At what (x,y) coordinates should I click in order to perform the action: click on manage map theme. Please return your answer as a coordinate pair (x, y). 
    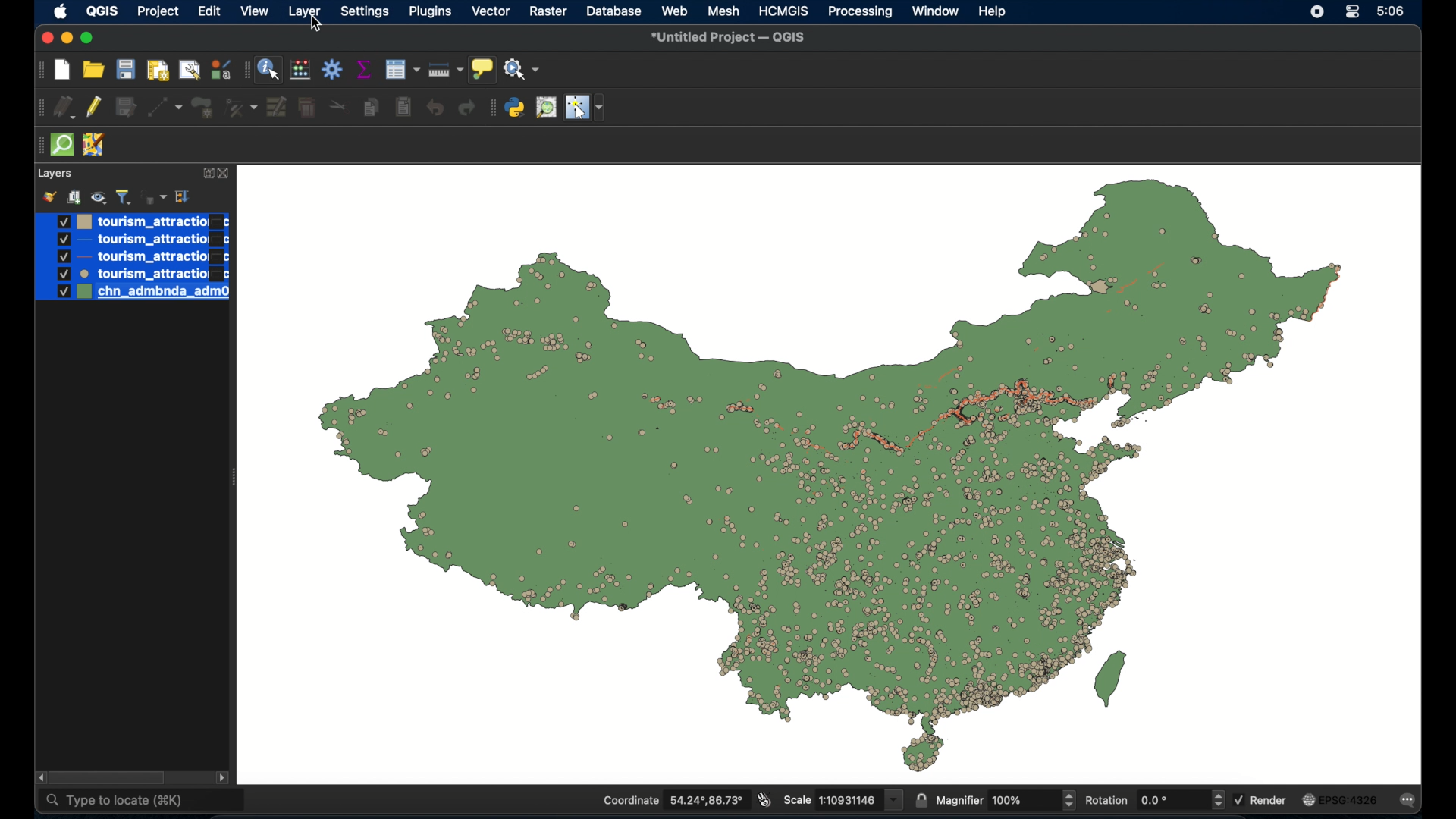
    Looking at the image, I should click on (98, 197).